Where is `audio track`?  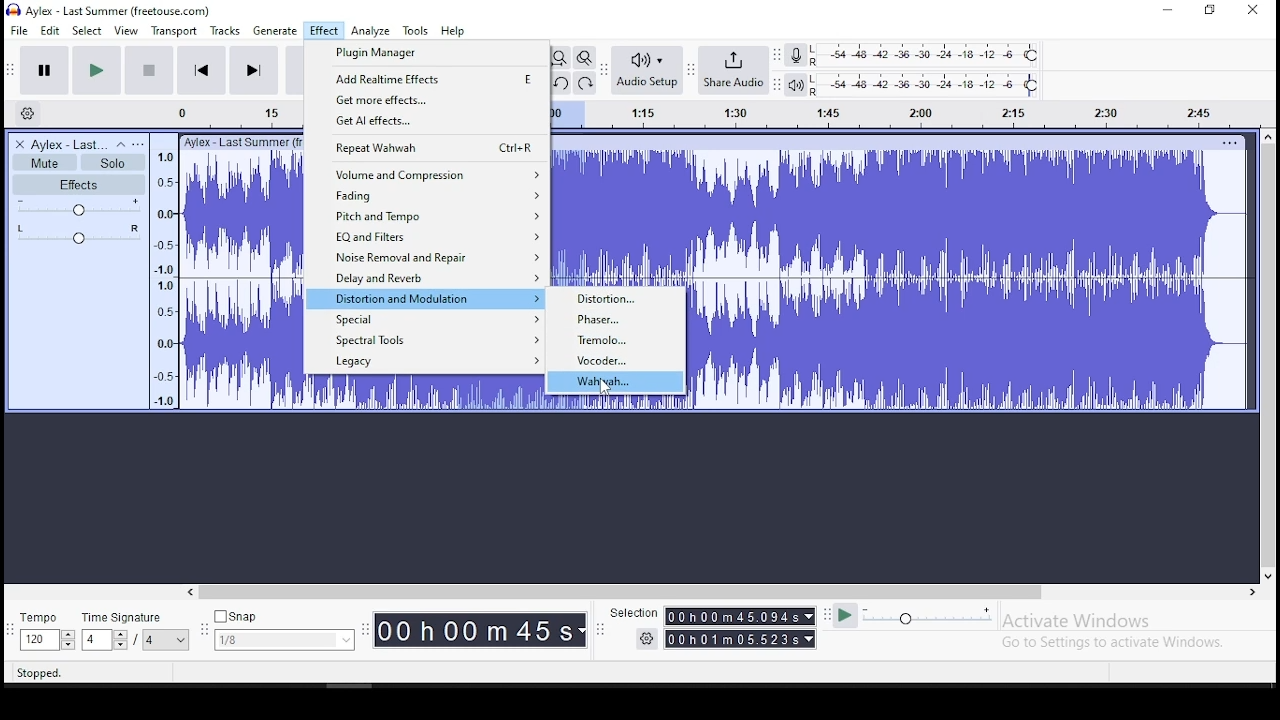 audio track is located at coordinates (966, 282).